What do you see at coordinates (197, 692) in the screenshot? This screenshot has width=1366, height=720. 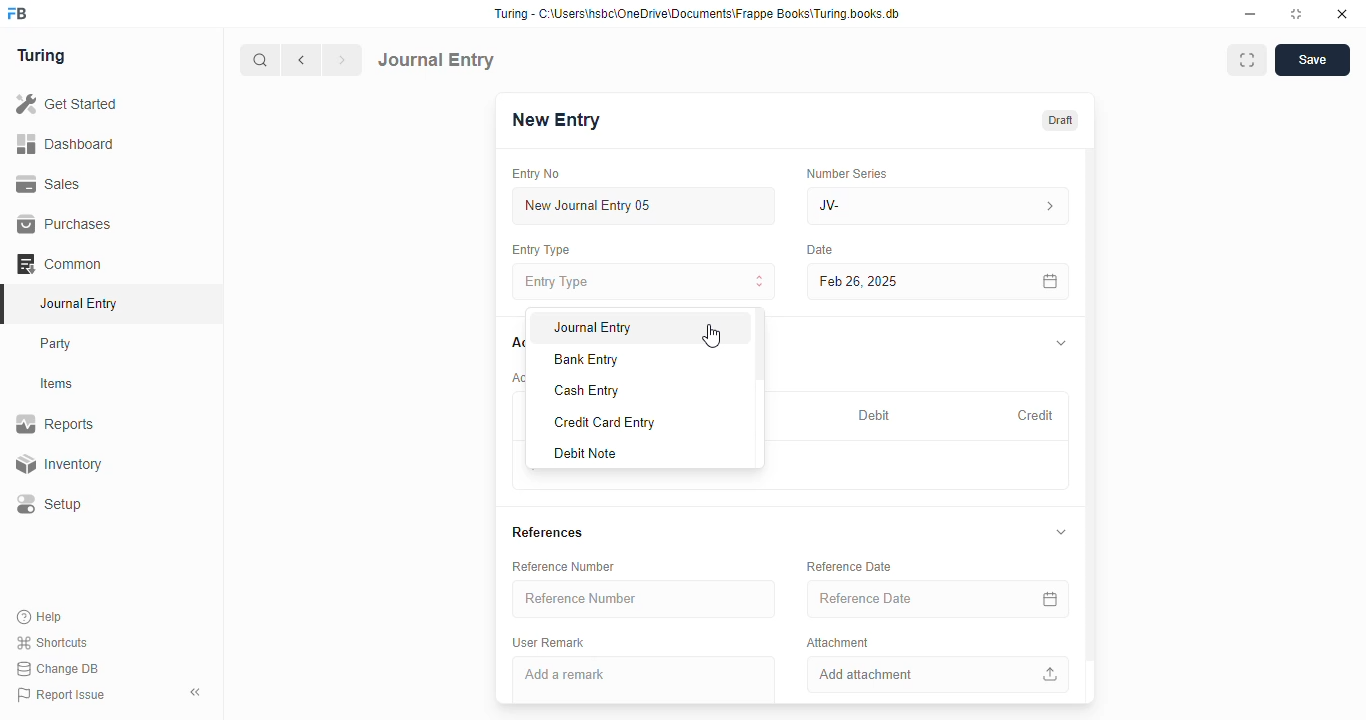 I see `toggle sidebar` at bounding box center [197, 692].